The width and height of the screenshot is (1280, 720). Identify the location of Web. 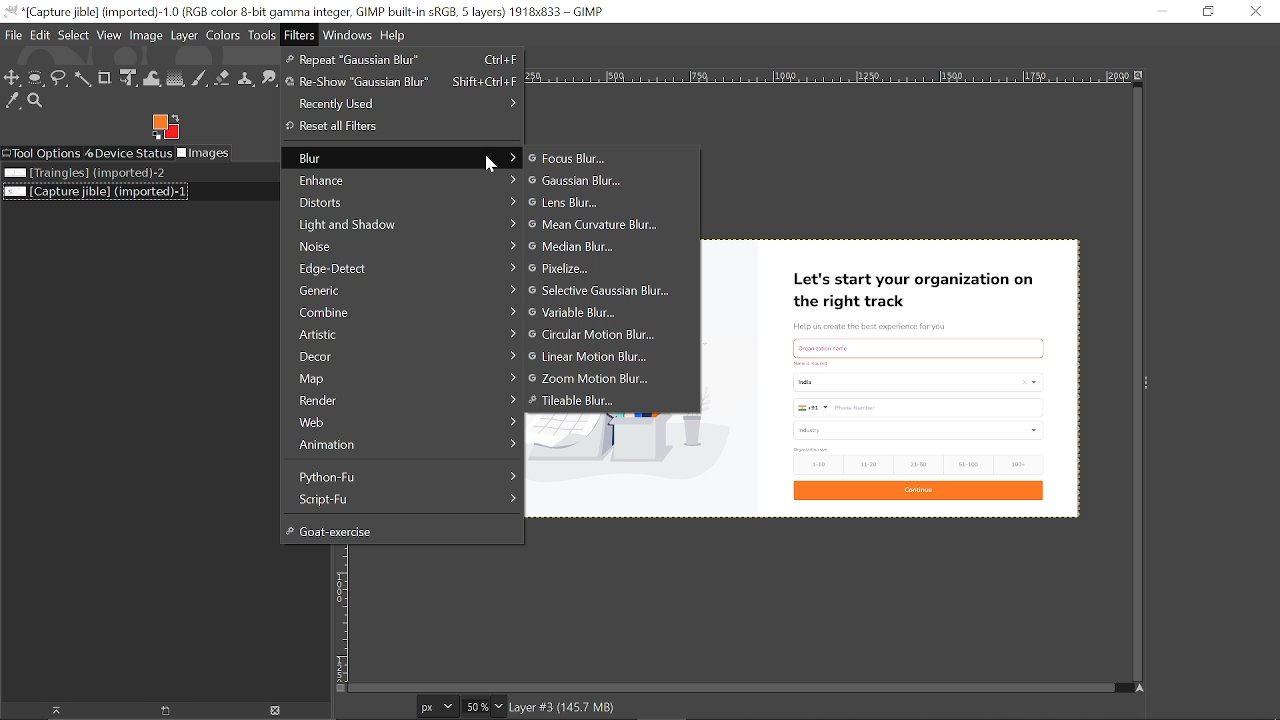
(401, 422).